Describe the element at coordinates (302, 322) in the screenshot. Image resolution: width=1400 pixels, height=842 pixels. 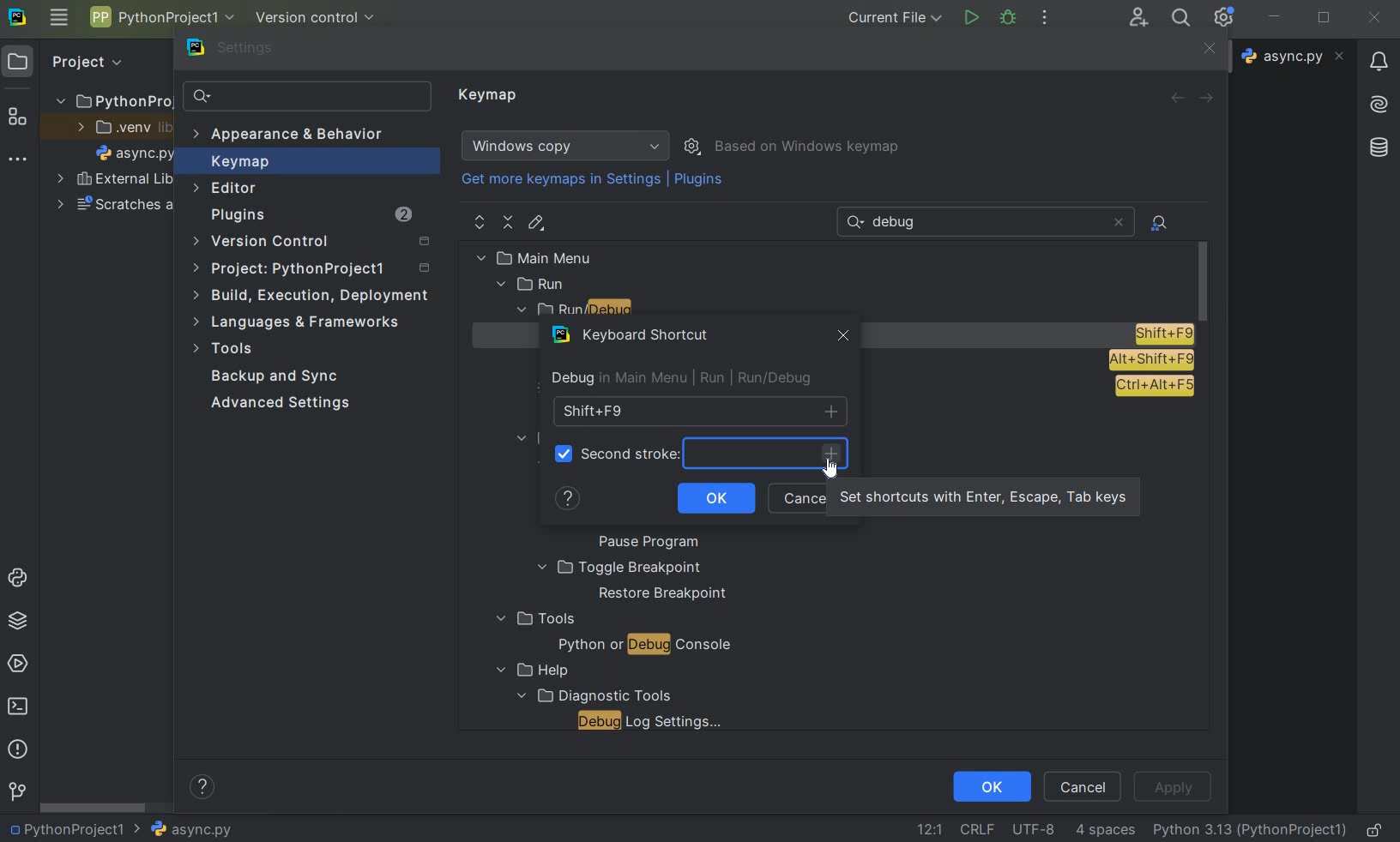
I see `Languages and Frameworks` at that location.